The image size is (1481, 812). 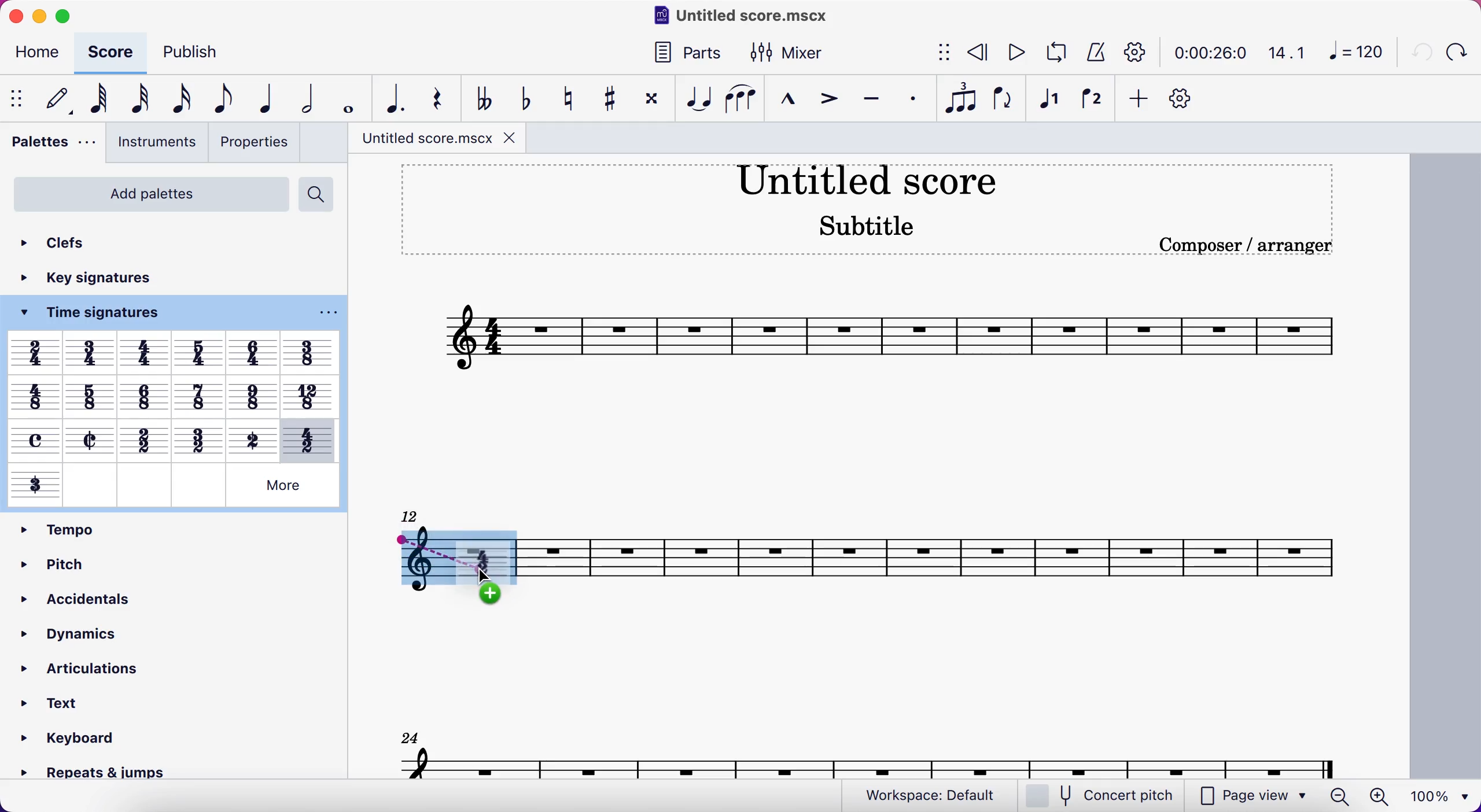 I want to click on add, so click(x=1137, y=99).